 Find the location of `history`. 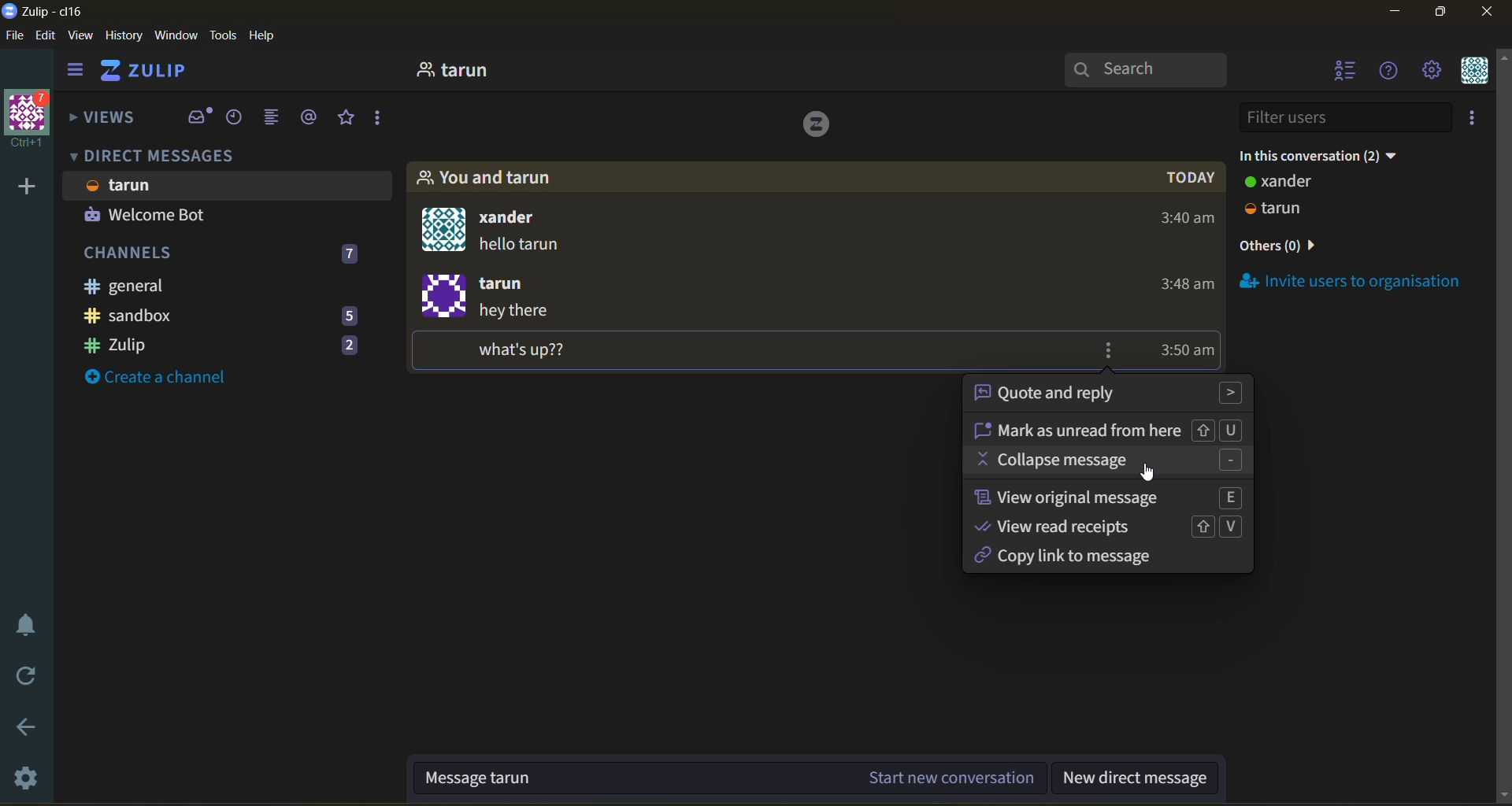

history is located at coordinates (124, 36).